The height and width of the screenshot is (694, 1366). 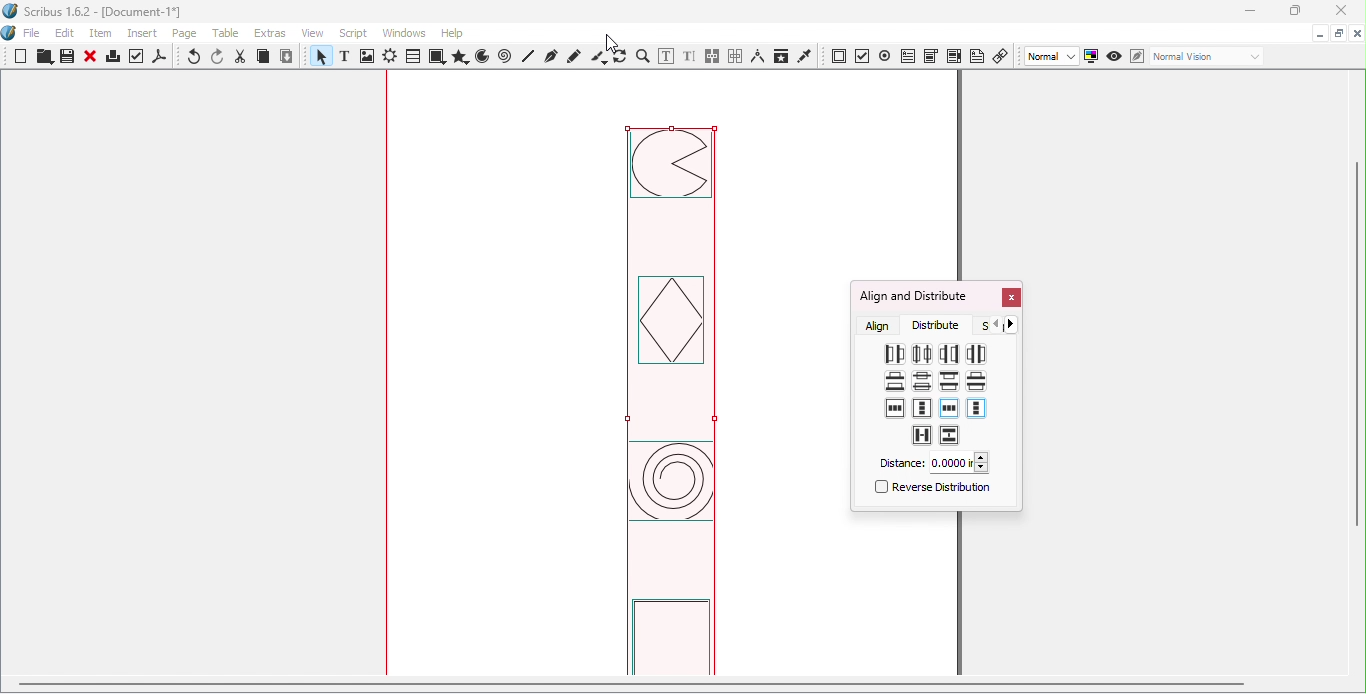 What do you see at coordinates (1002, 55) in the screenshot?
I see `Link annotation` at bounding box center [1002, 55].